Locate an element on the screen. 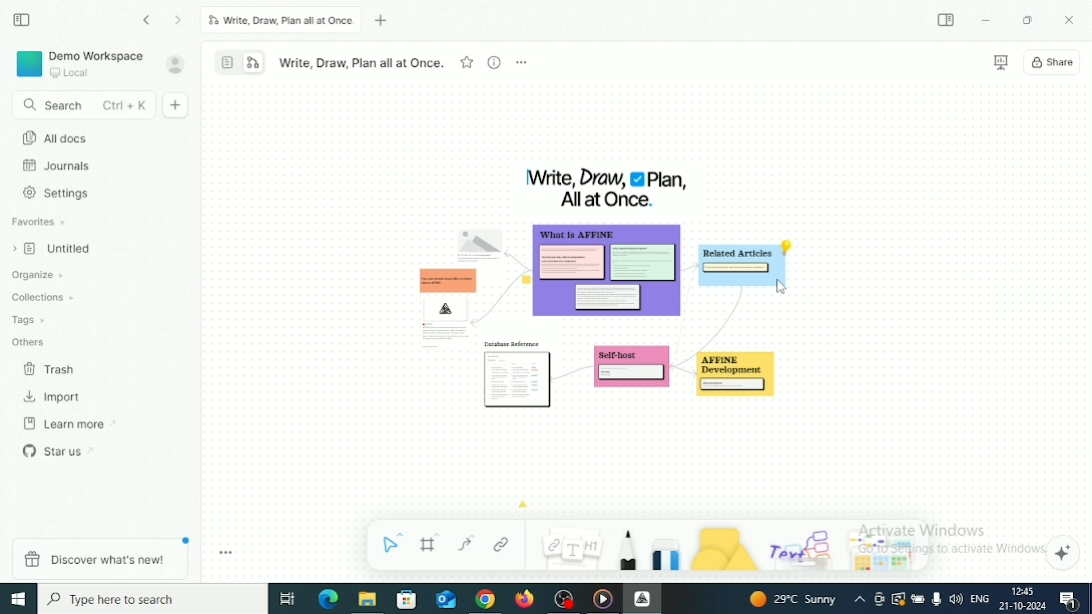 This screenshot has width=1092, height=614. Sticky notes is located at coordinates (632, 371).